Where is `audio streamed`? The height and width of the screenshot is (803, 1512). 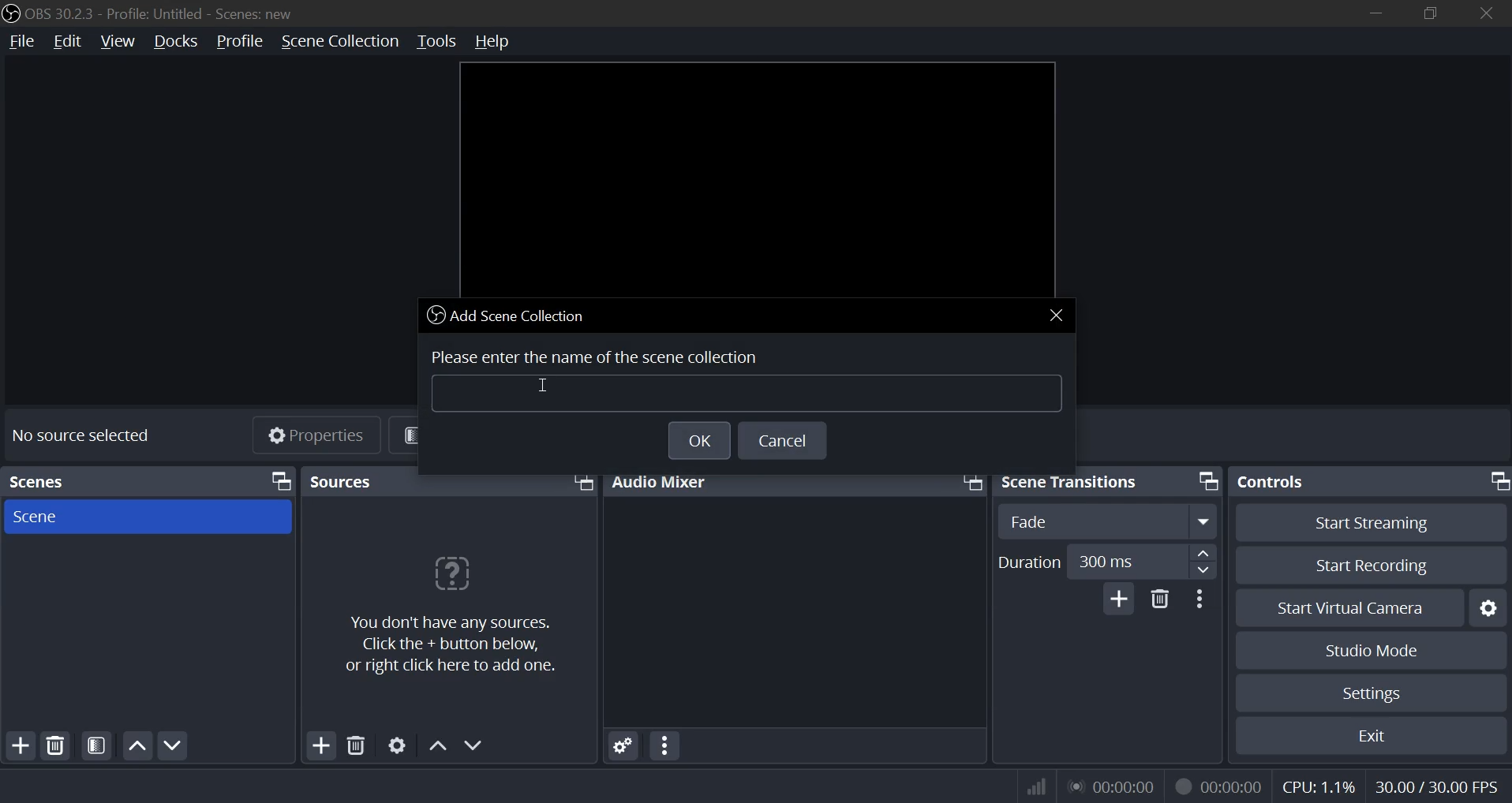
audio streamed is located at coordinates (1110, 786).